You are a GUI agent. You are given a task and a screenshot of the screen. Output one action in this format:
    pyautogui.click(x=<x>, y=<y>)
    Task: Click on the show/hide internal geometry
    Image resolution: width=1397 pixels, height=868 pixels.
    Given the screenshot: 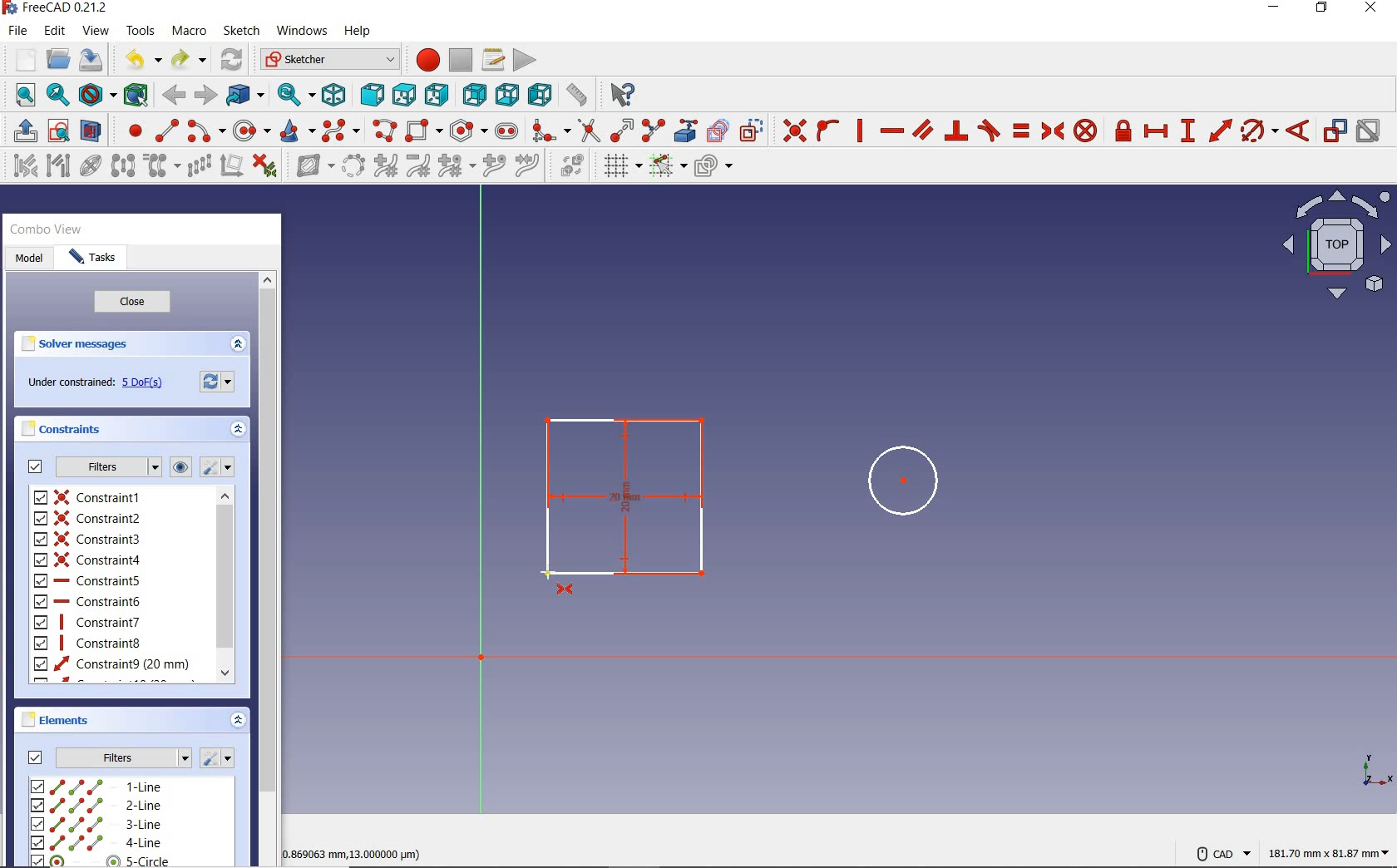 What is the action you would take?
    pyautogui.click(x=91, y=168)
    